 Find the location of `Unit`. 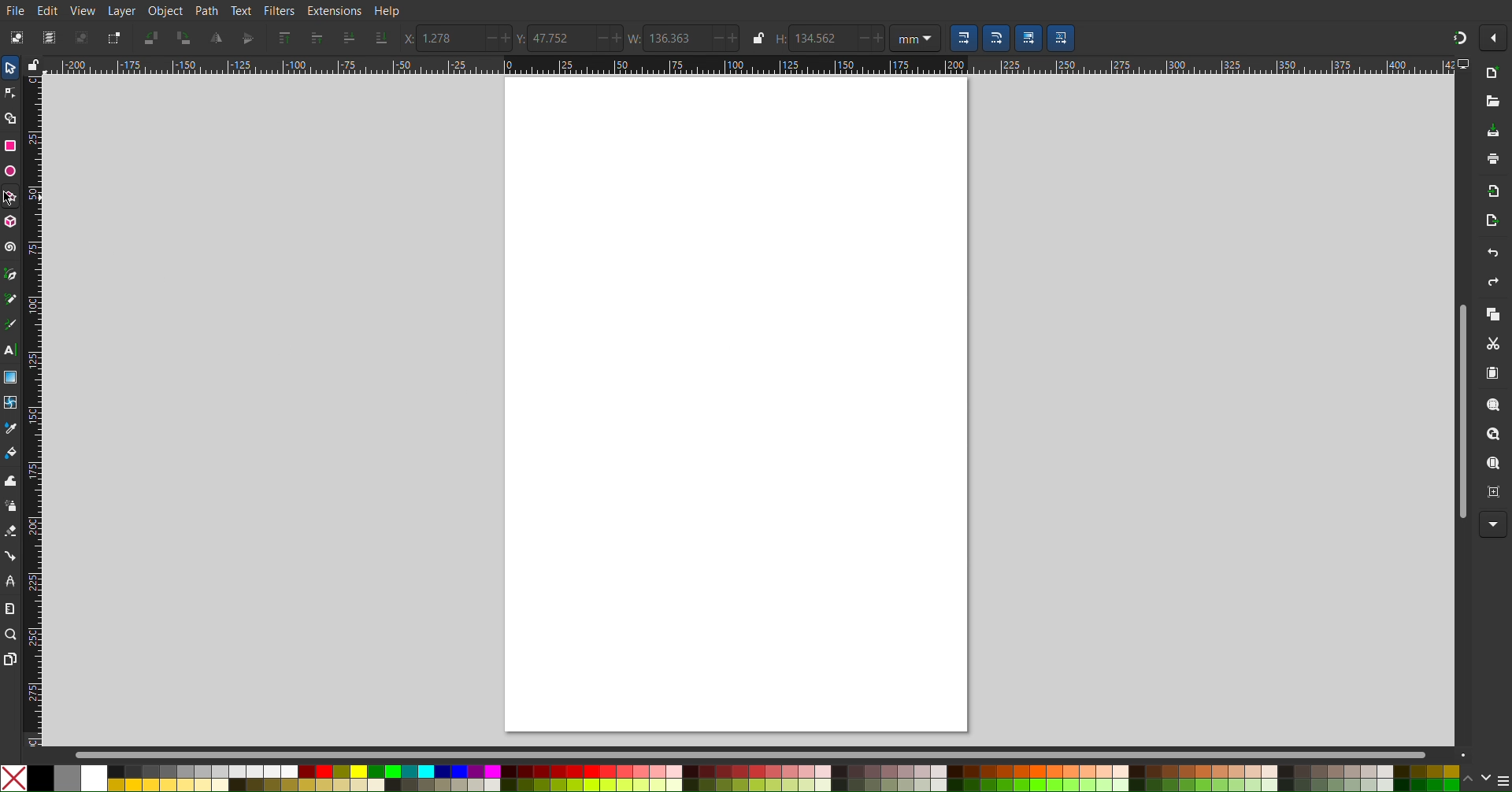

Unit is located at coordinates (916, 39).